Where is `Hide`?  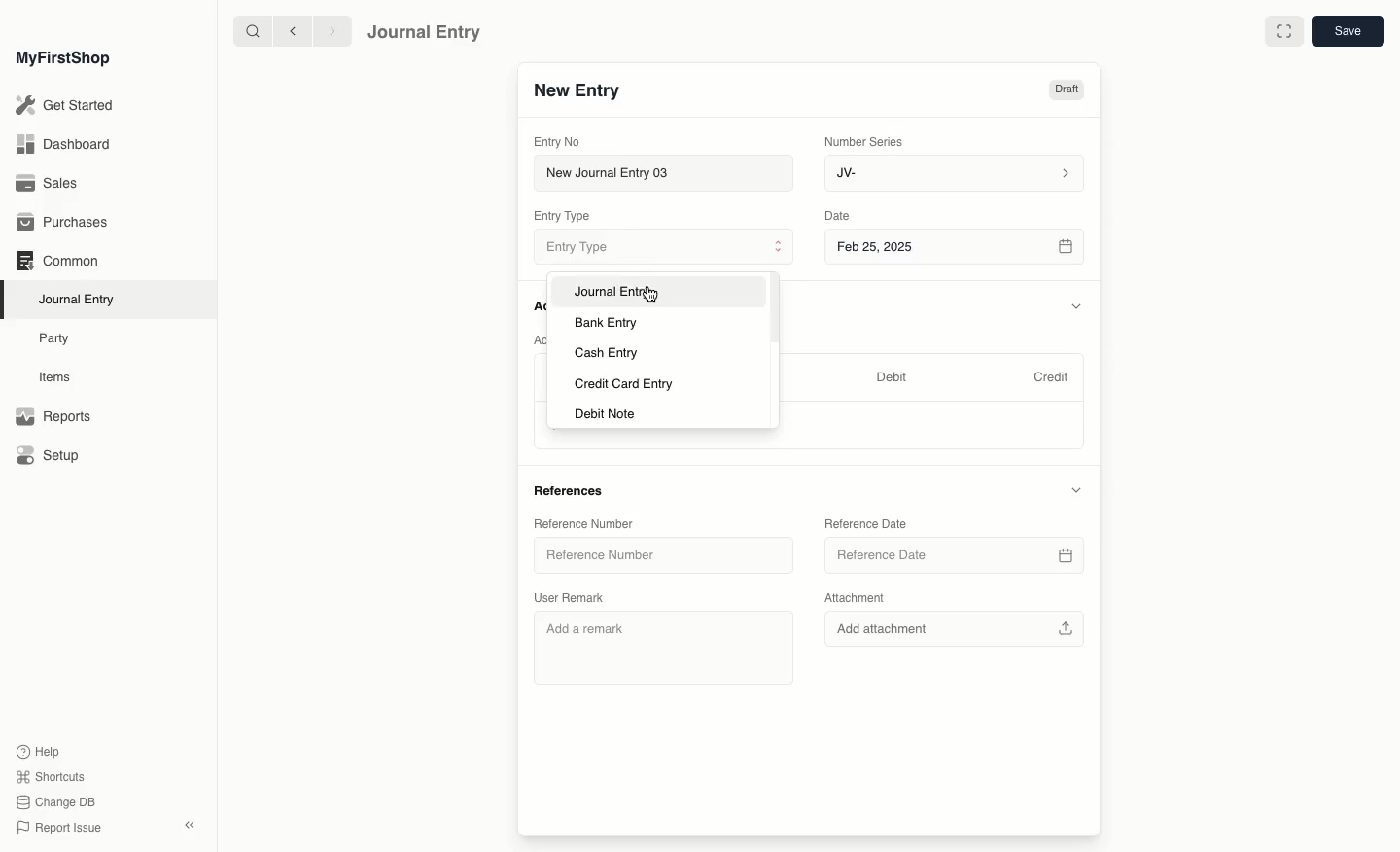 Hide is located at coordinates (1077, 307).